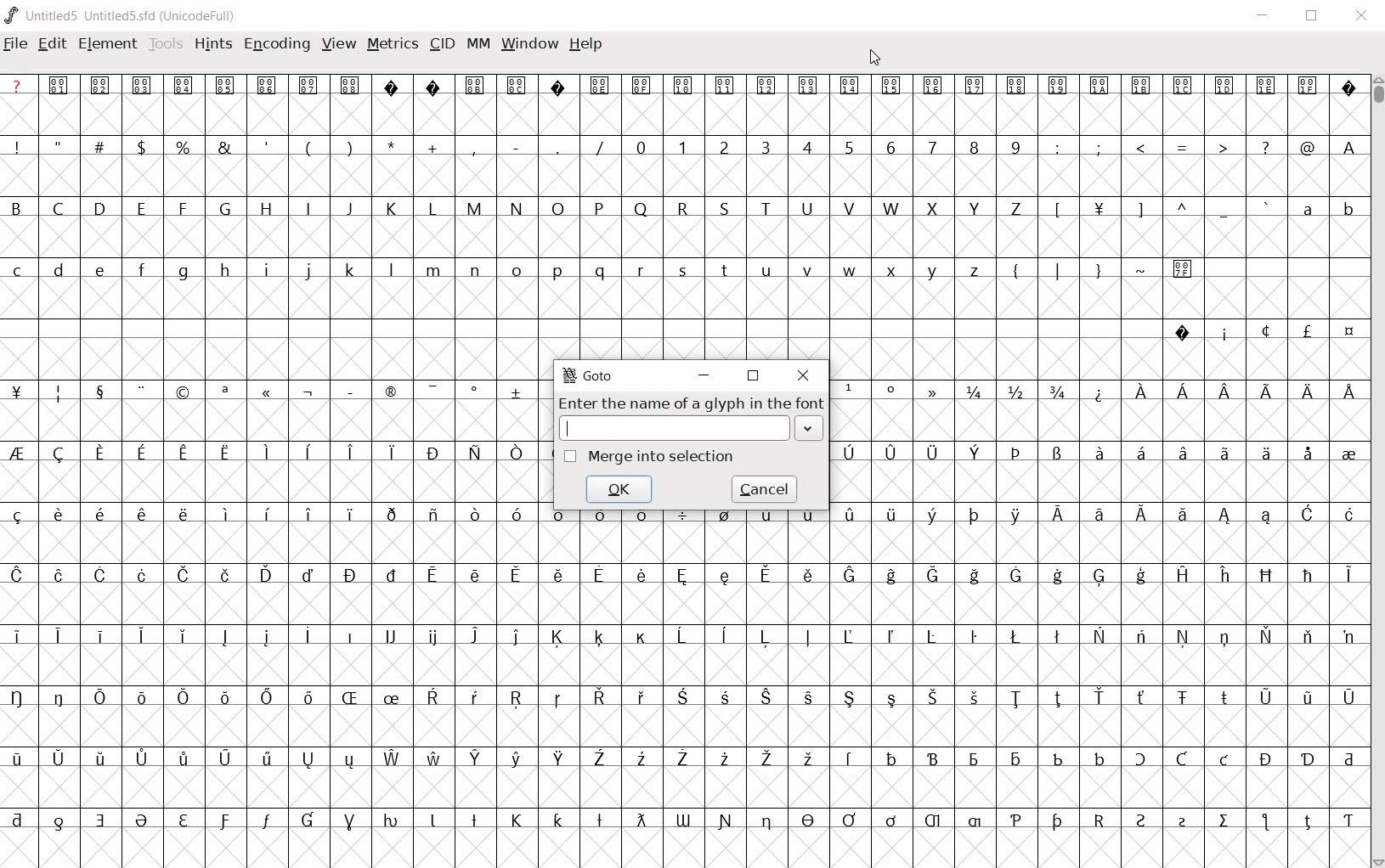 The height and width of the screenshot is (868, 1385). I want to click on Symbol, so click(59, 573).